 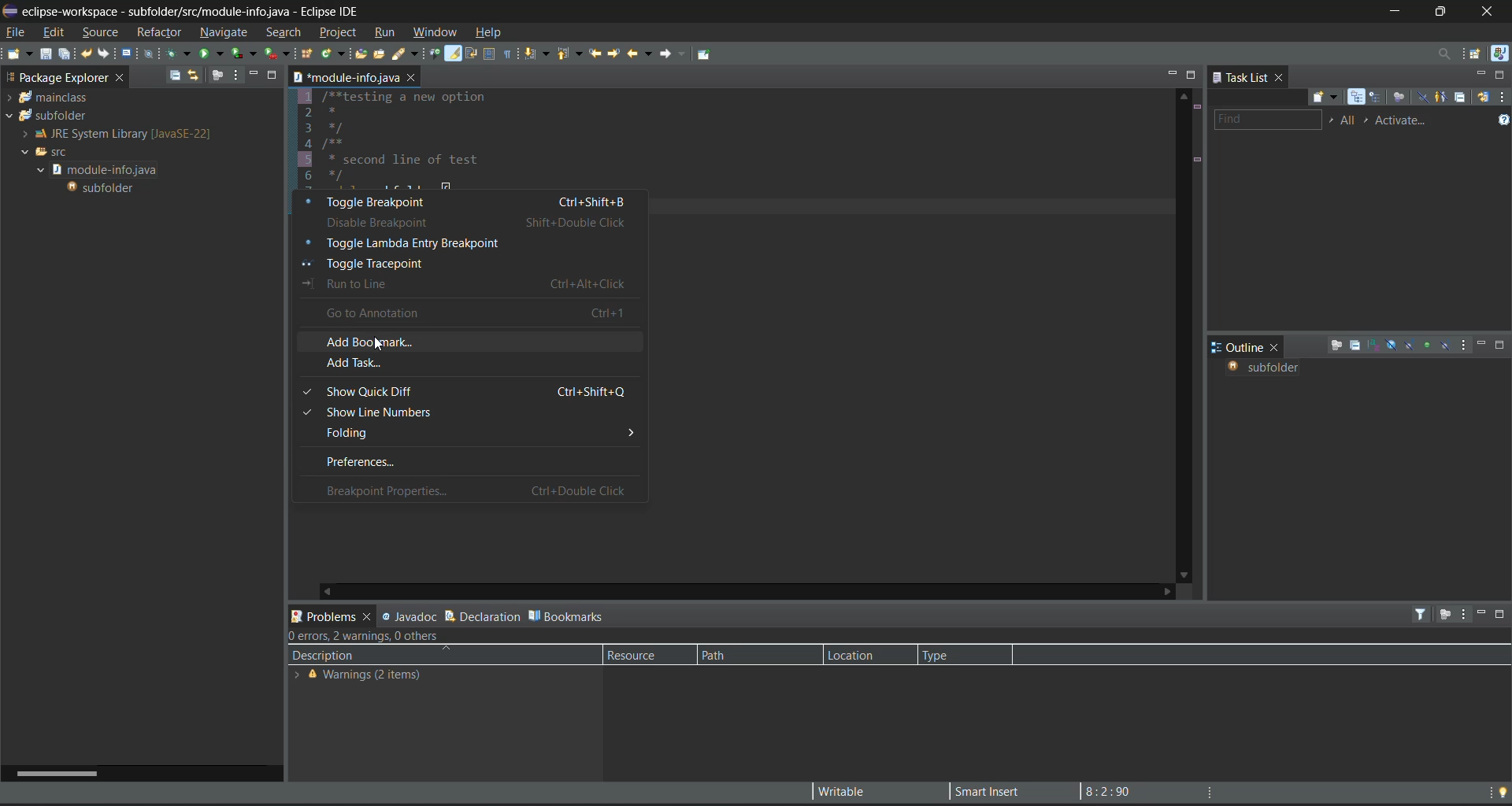 I want to click on JRE System Library [JavaSE-22], so click(x=113, y=134).